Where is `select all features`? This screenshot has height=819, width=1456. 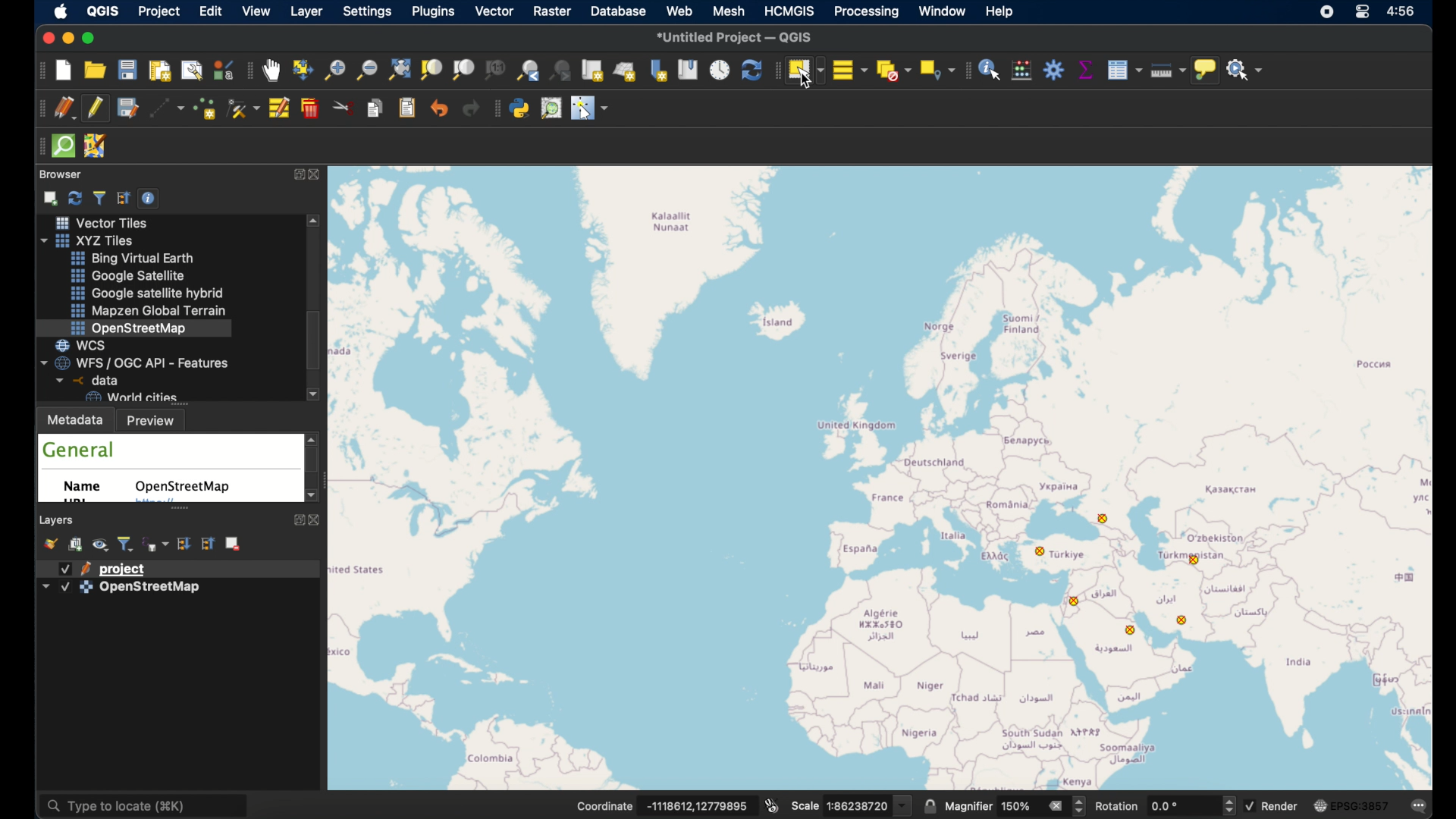 select all features is located at coordinates (850, 69).